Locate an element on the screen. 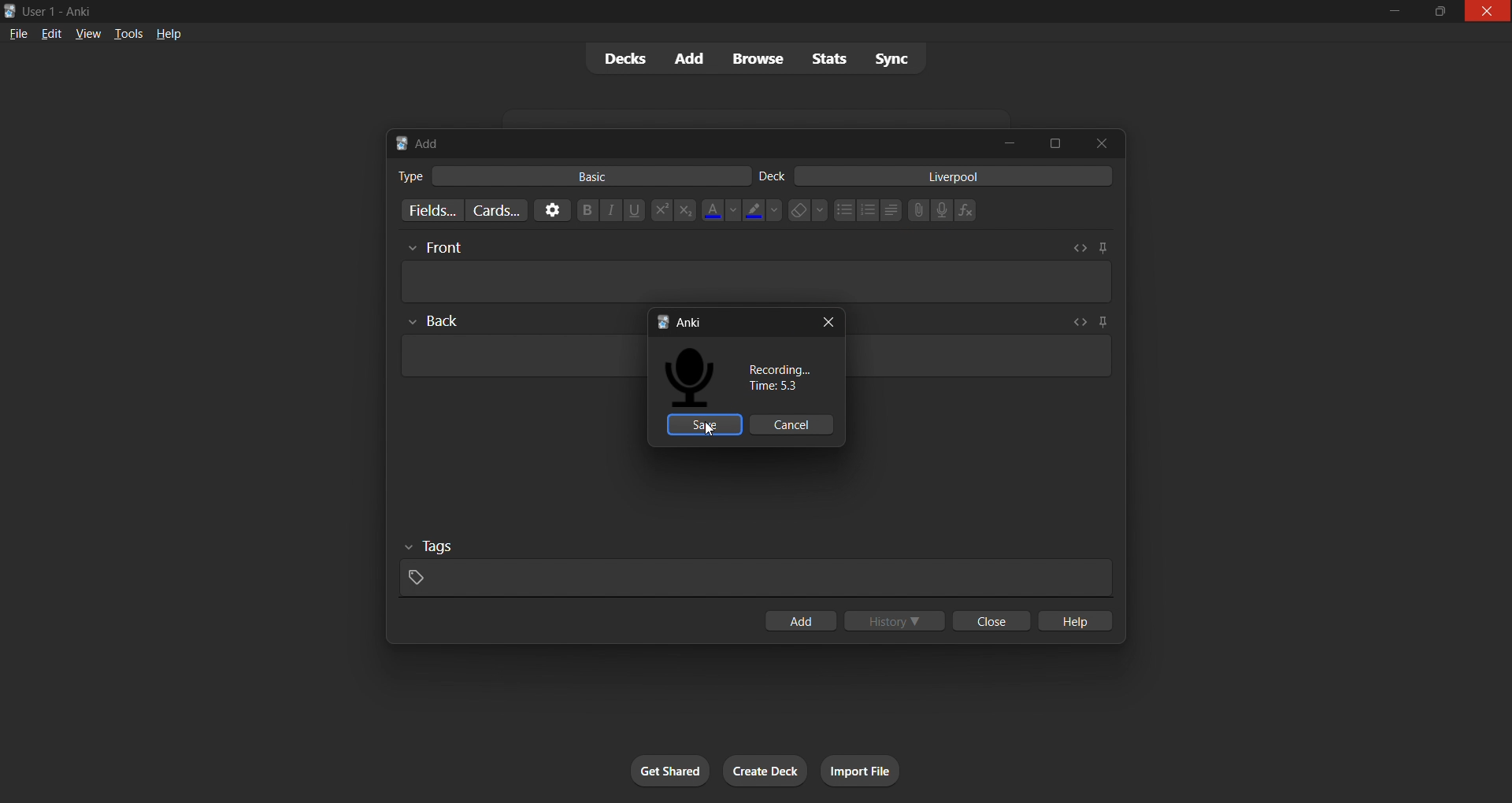 The height and width of the screenshot is (803, 1512). italic is located at coordinates (610, 212).